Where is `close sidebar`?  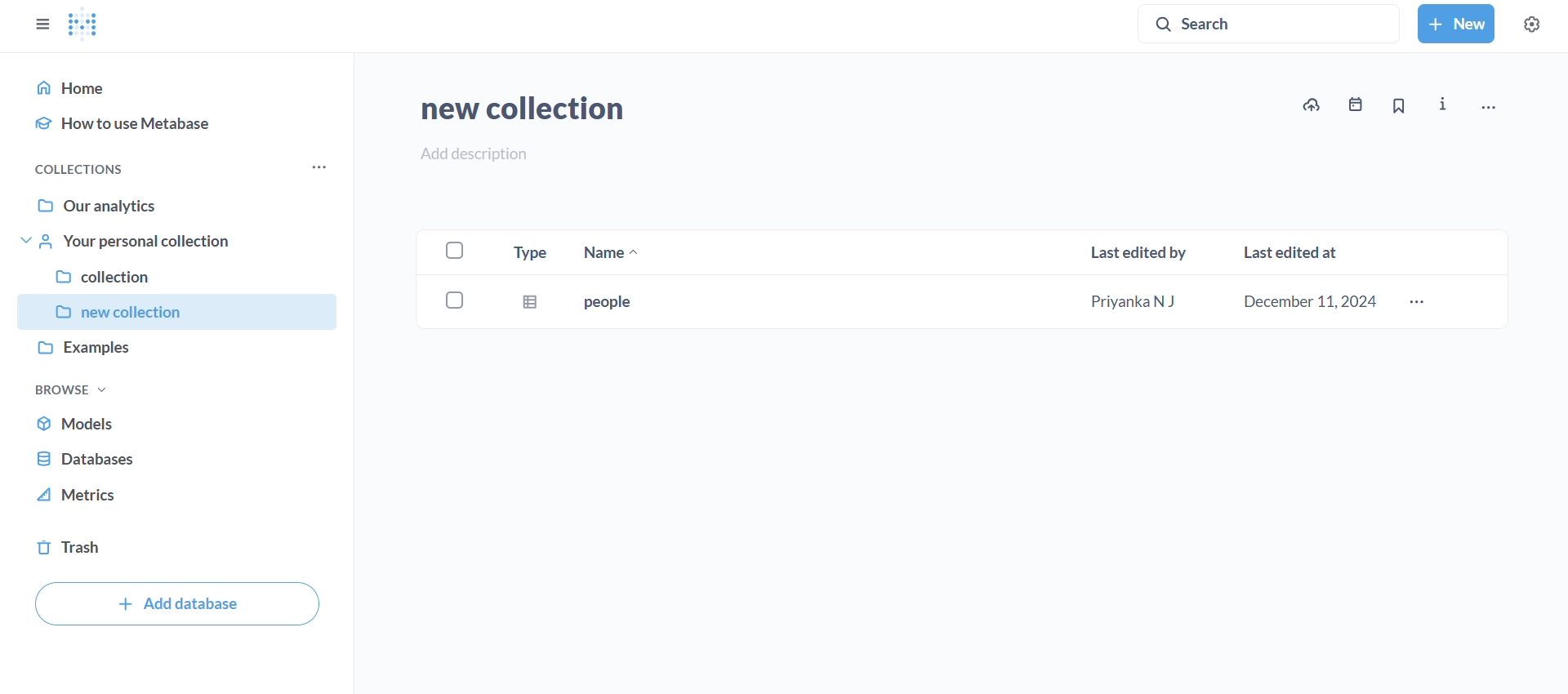
close sidebar is located at coordinates (41, 24).